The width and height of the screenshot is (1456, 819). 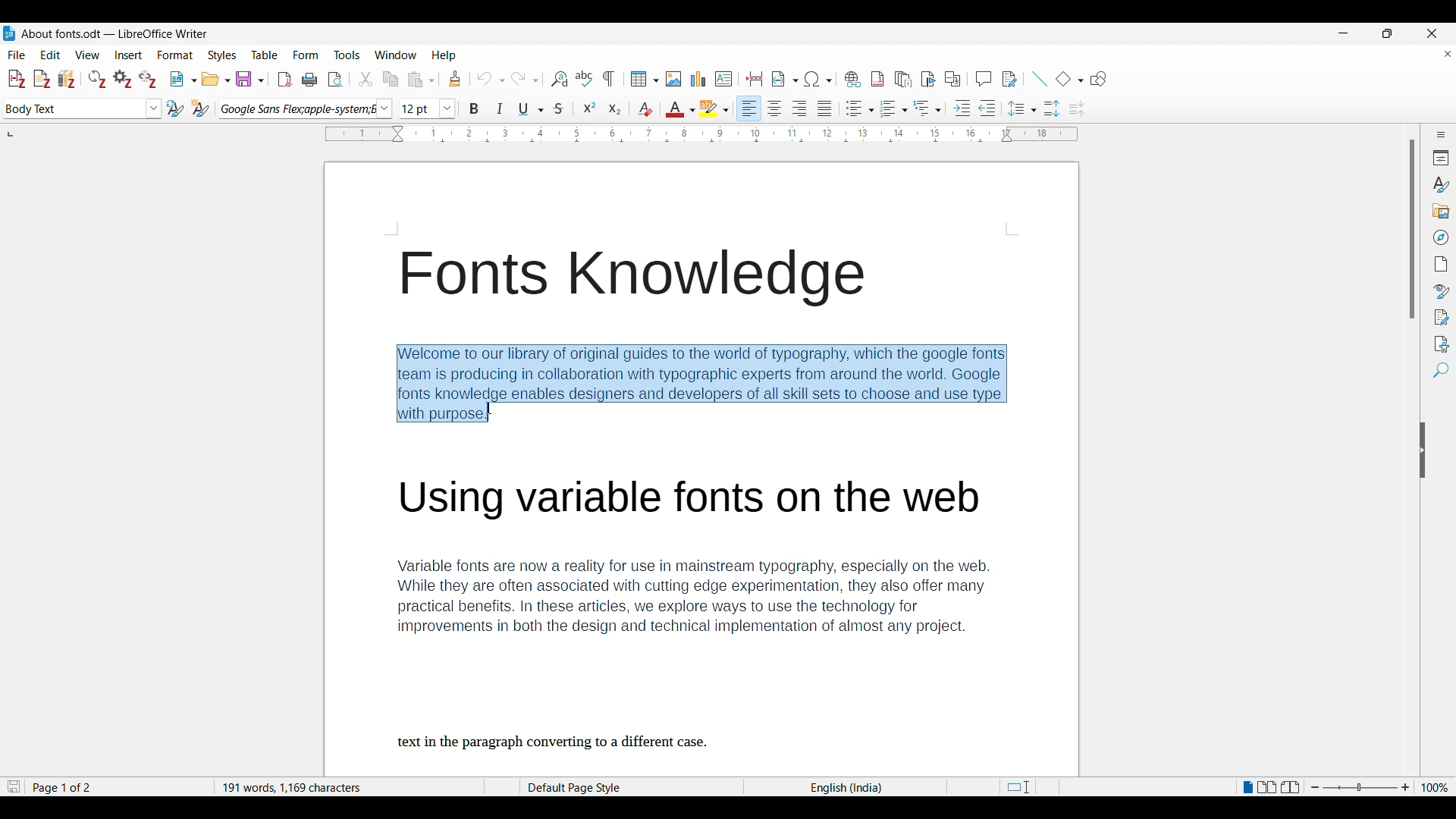 What do you see at coordinates (115, 33) in the screenshot?
I see `Project and software name` at bounding box center [115, 33].